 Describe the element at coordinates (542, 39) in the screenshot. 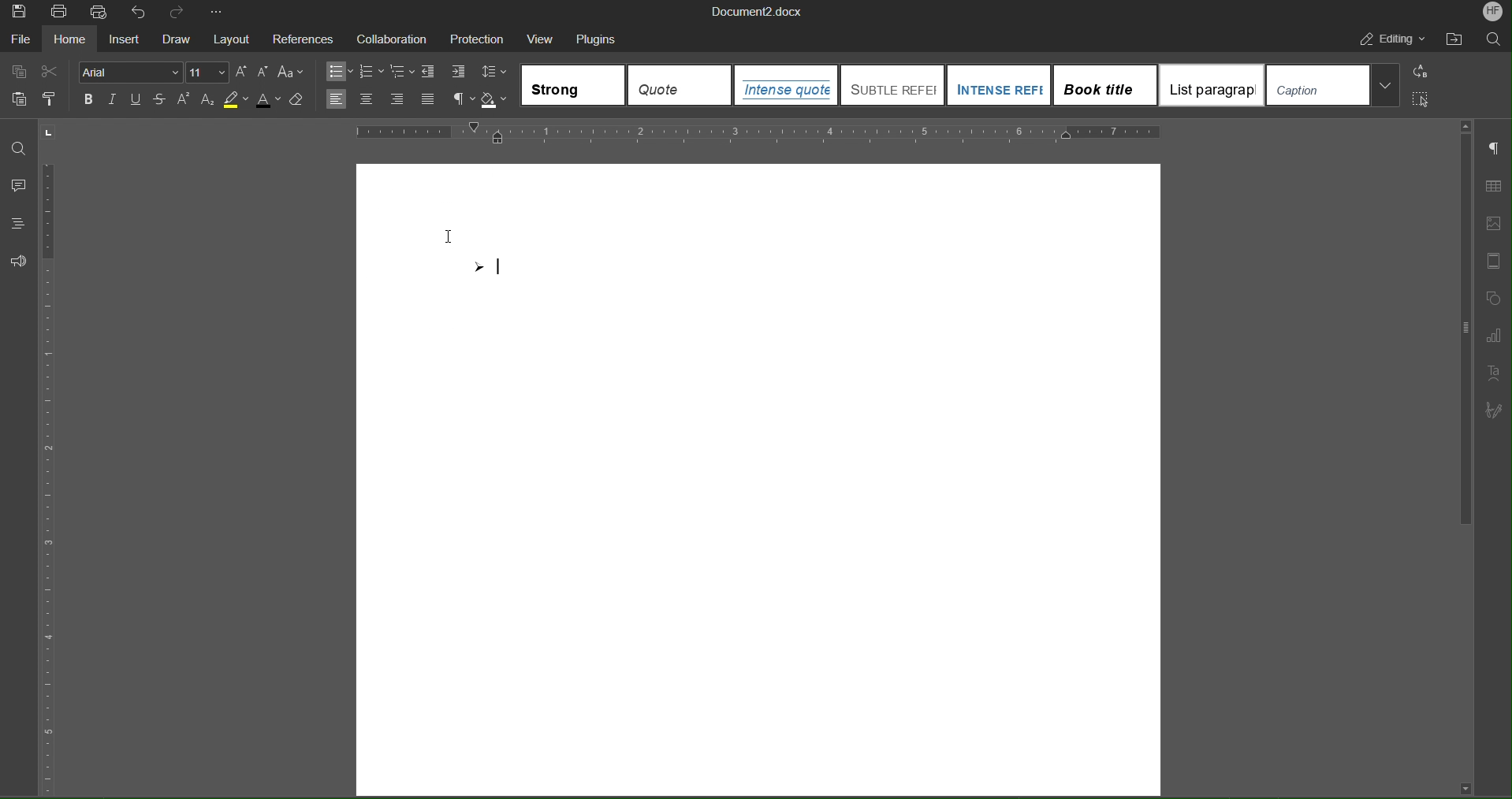

I see `View` at that location.